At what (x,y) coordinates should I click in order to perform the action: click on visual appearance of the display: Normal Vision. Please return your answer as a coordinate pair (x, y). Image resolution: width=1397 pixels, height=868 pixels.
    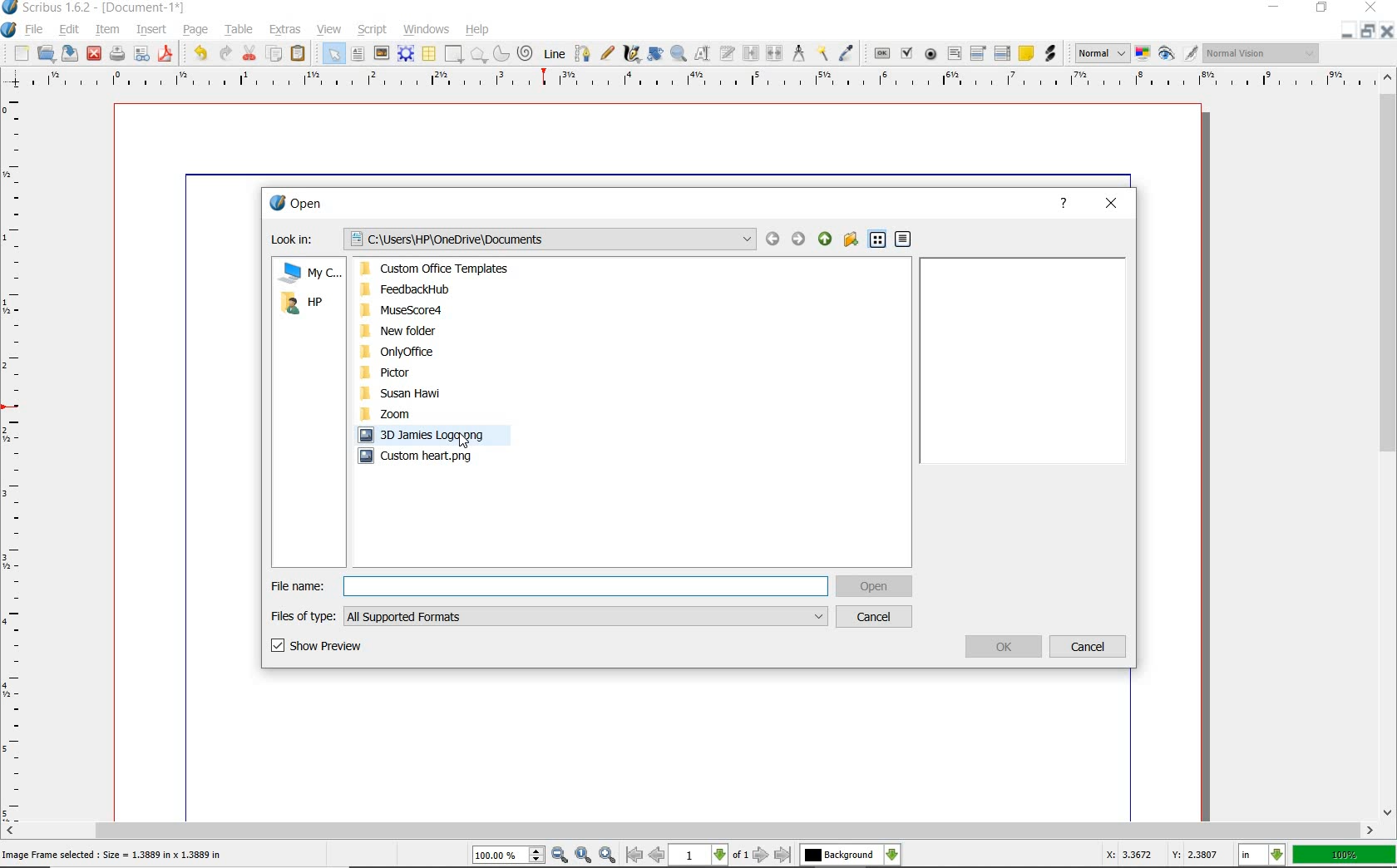
    Looking at the image, I should click on (1260, 52).